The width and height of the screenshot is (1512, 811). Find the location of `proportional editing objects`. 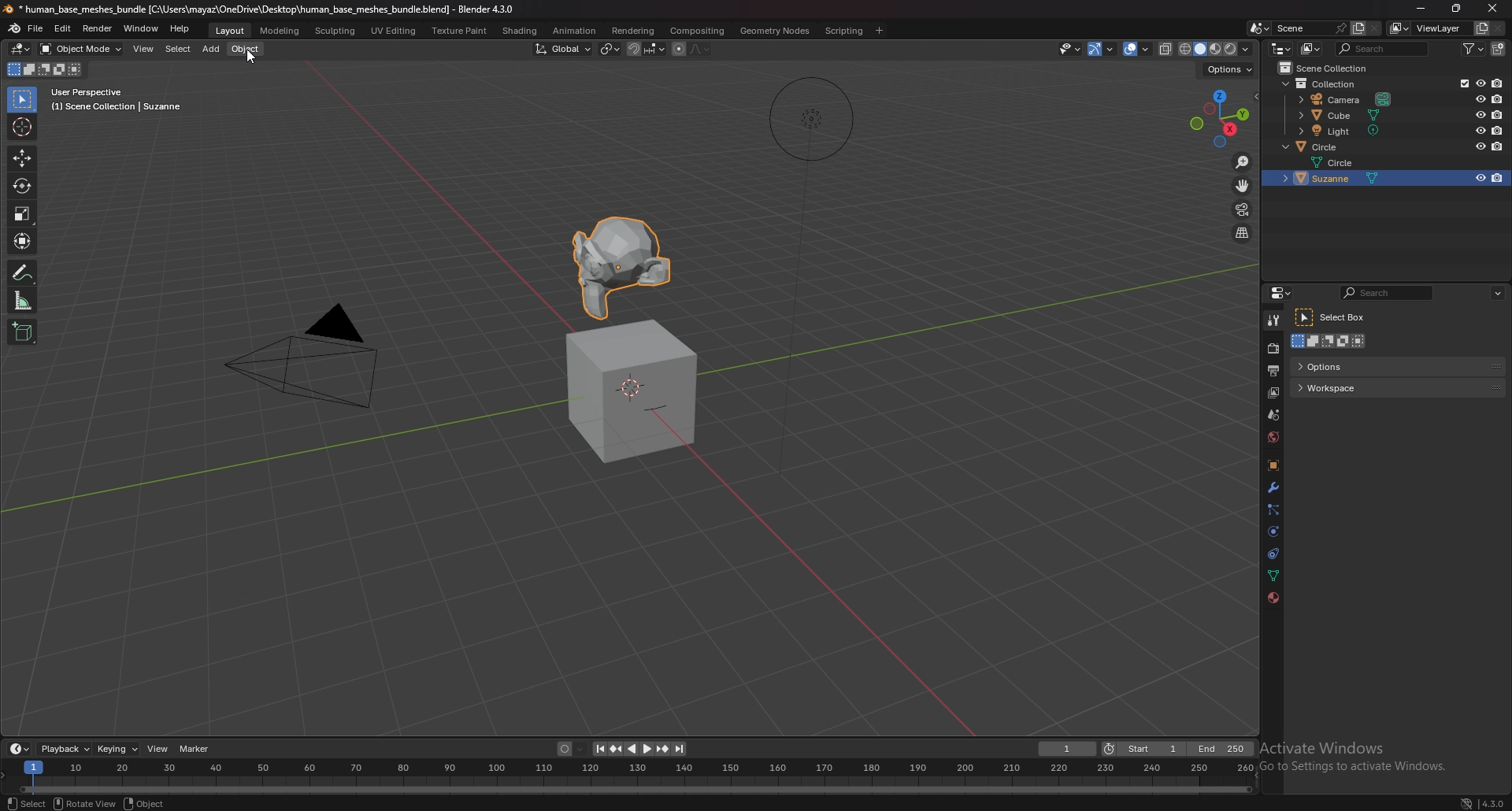

proportional editing objects is located at coordinates (678, 50).